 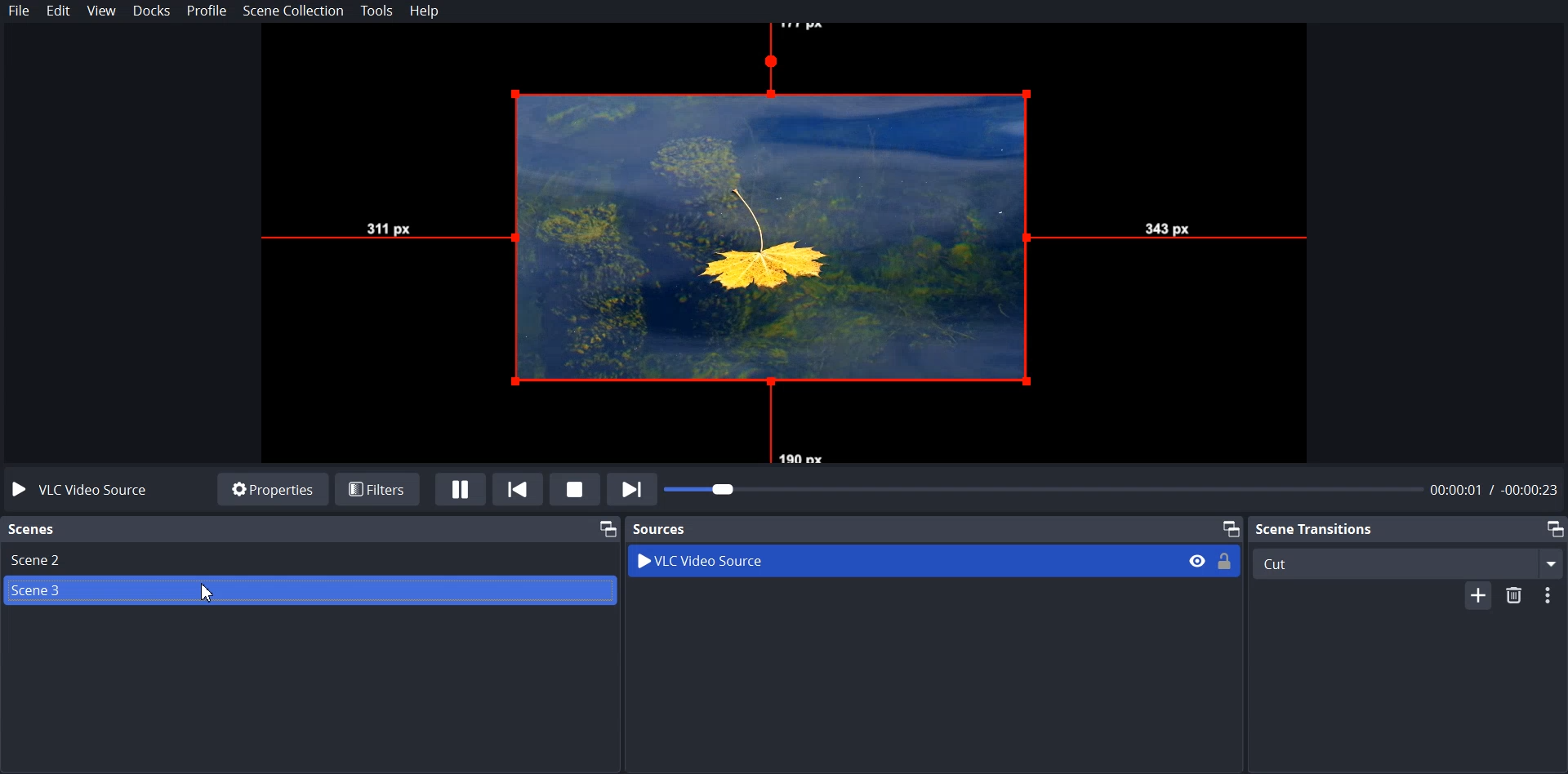 What do you see at coordinates (461, 489) in the screenshot?
I see `Pause Media` at bounding box center [461, 489].